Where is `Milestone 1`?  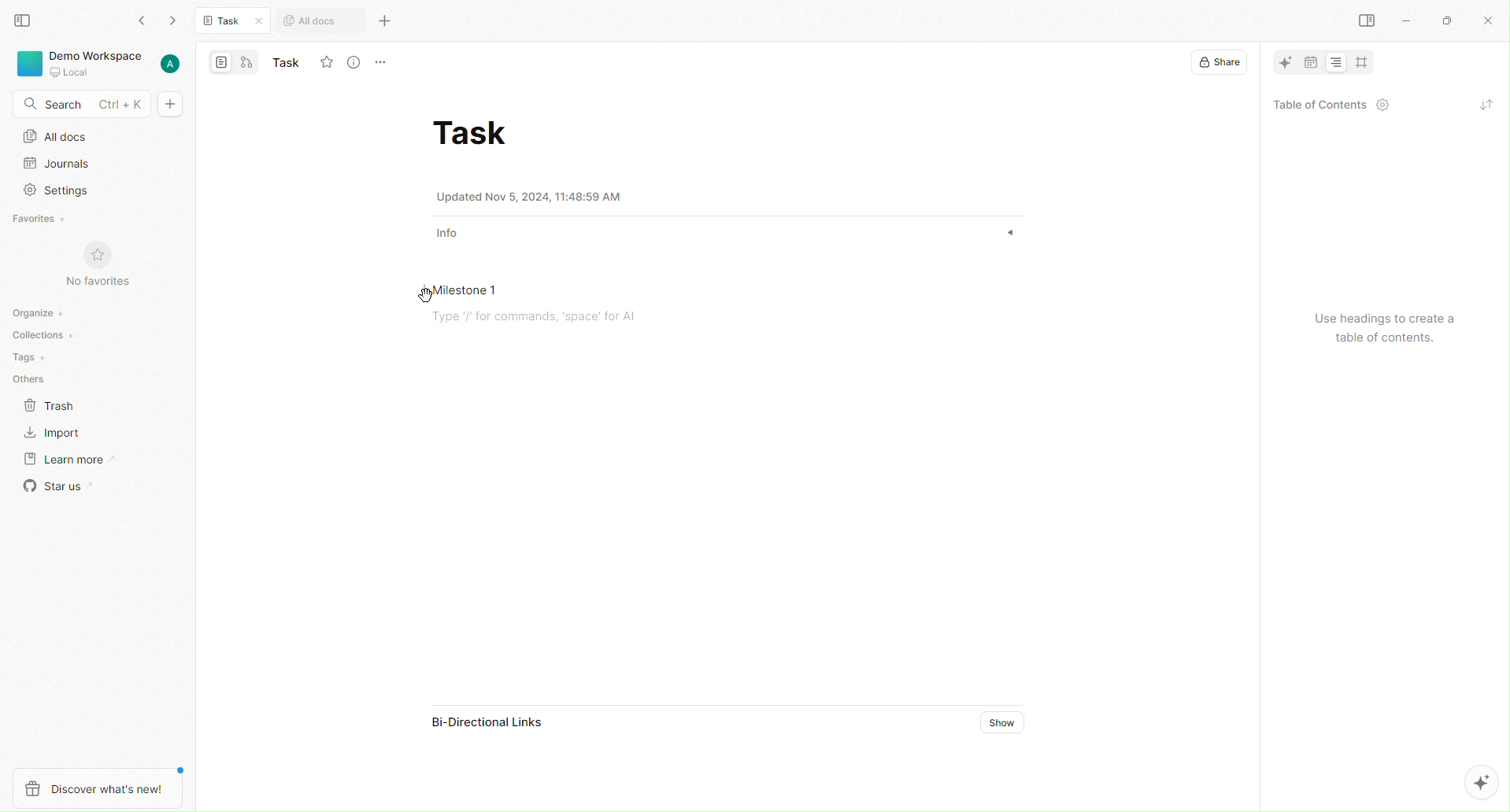
Milestone 1 is located at coordinates (469, 287).